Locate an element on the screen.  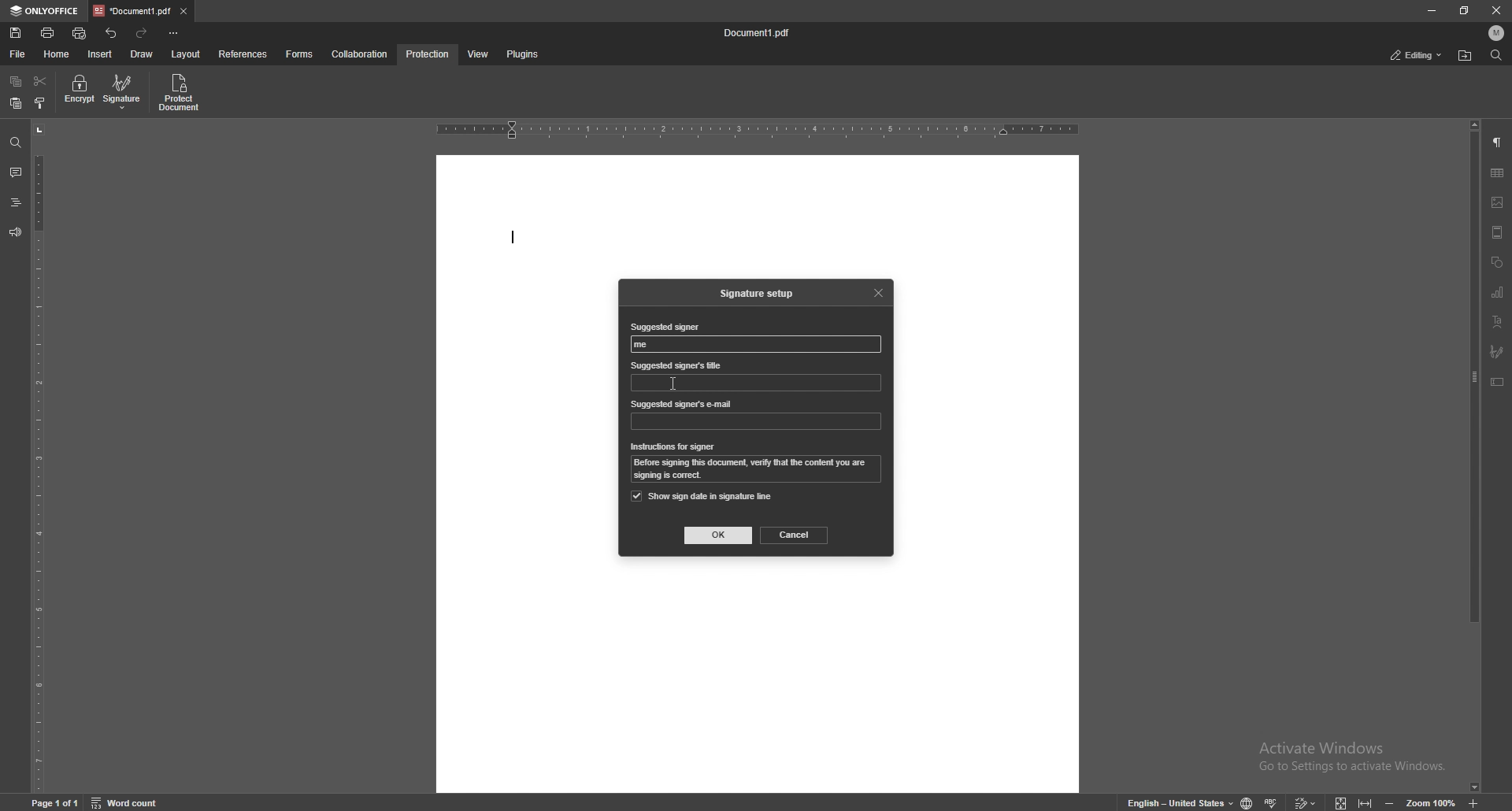
find is located at coordinates (16, 143).